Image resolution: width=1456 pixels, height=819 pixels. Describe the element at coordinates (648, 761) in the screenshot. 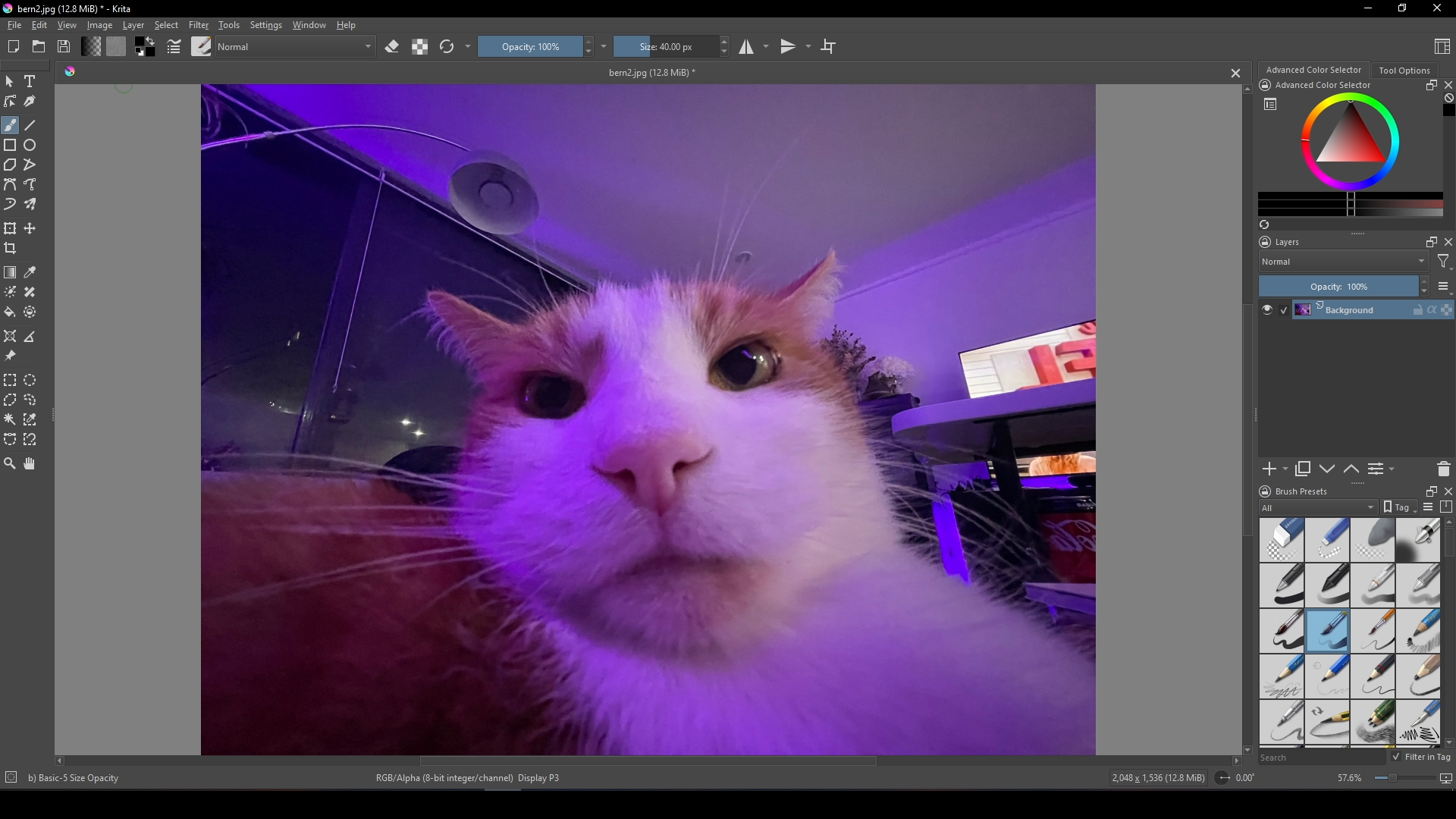

I see `Horizontal scroll` at that location.